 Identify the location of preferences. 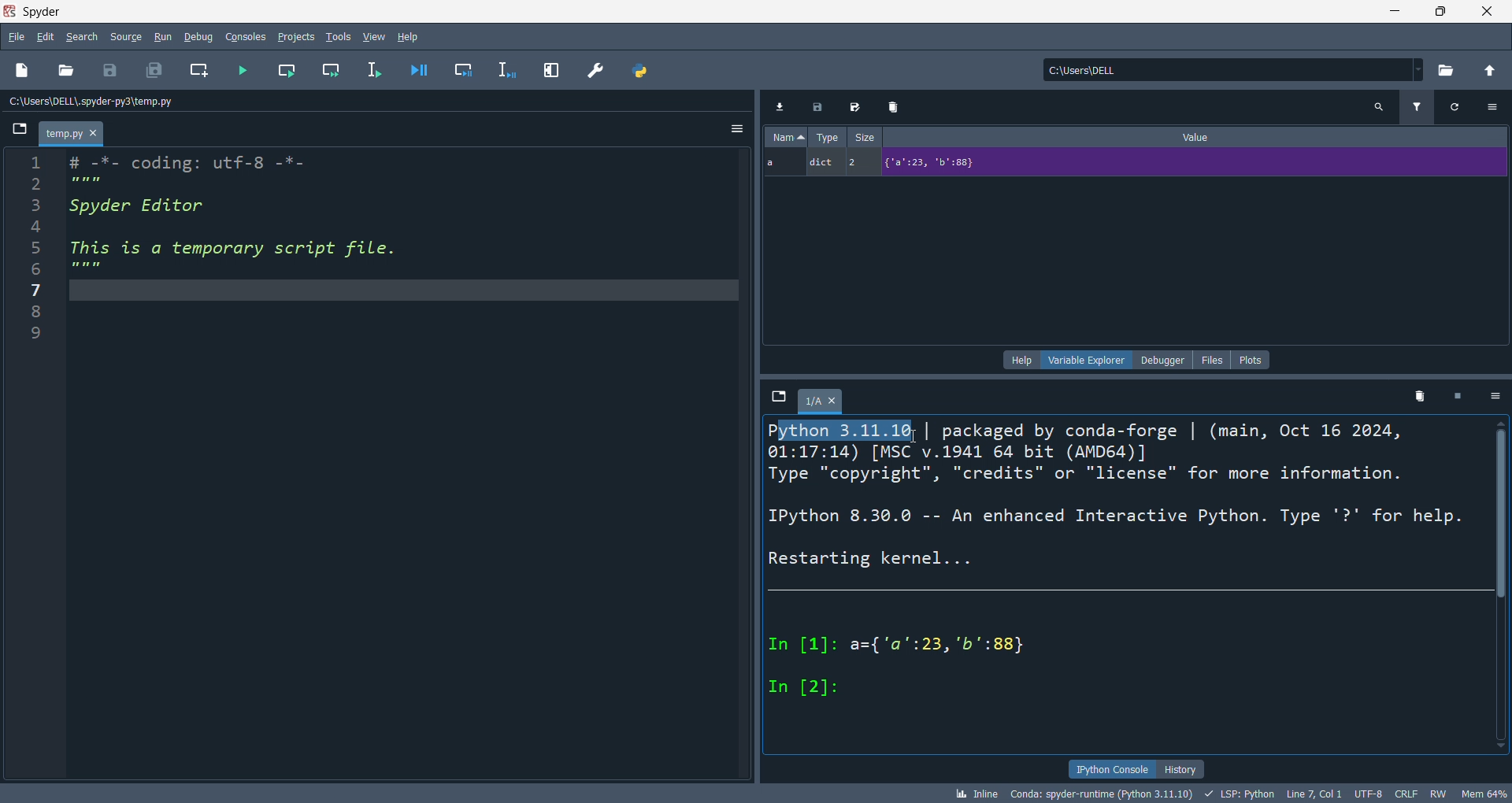
(598, 72).